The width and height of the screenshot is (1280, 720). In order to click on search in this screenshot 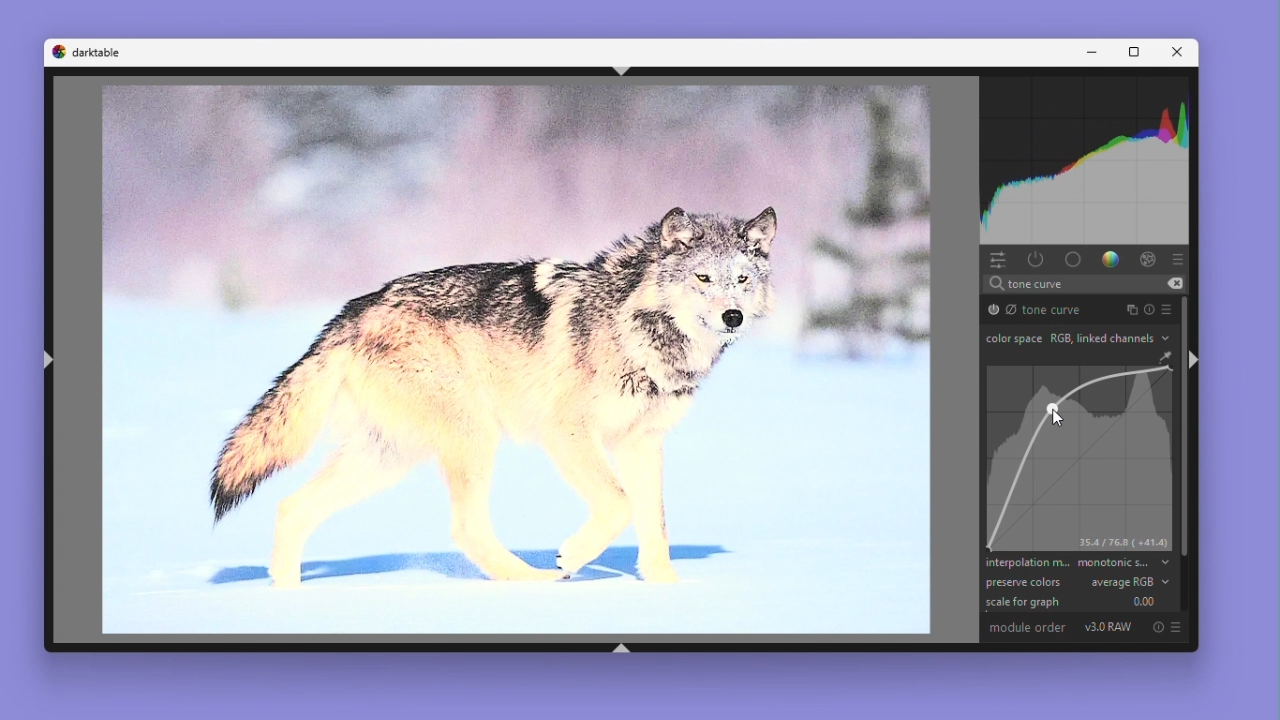, I will do `click(995, 284)`.